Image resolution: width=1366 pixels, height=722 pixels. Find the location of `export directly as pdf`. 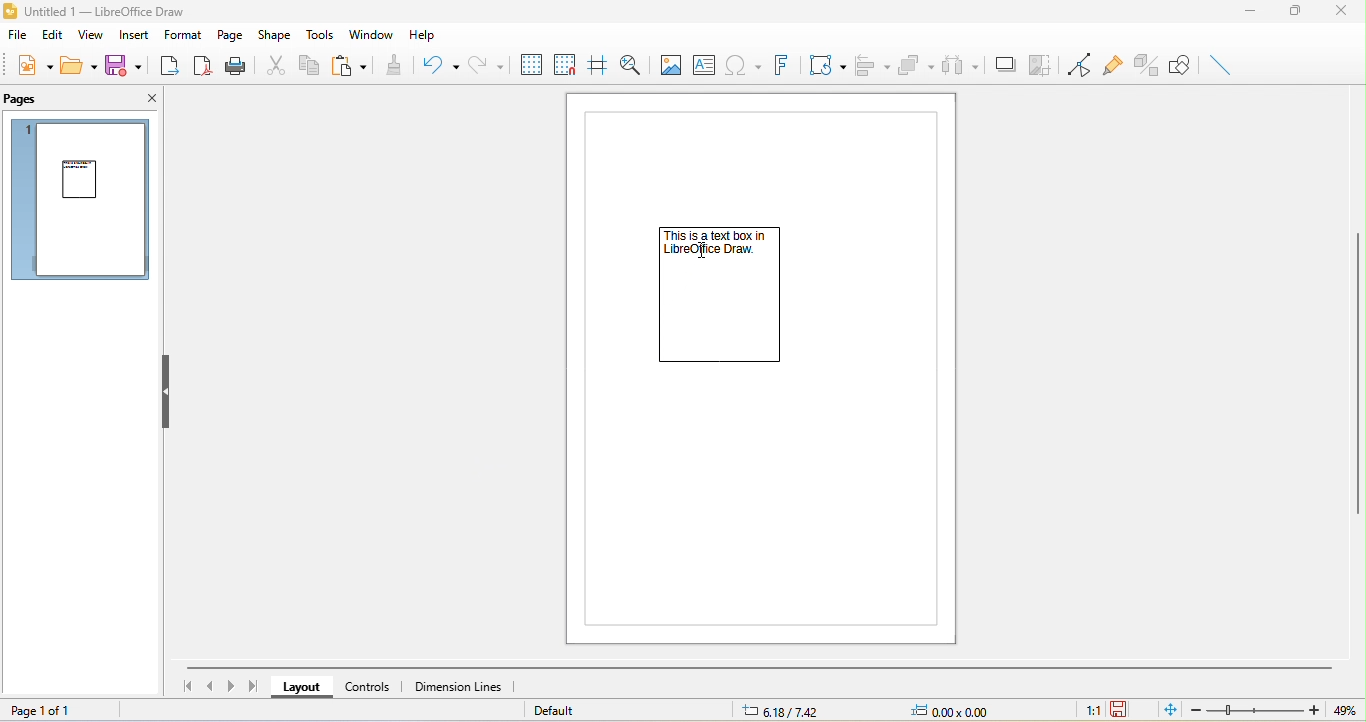

export directly as pdf is located at coordinates (205, 67).